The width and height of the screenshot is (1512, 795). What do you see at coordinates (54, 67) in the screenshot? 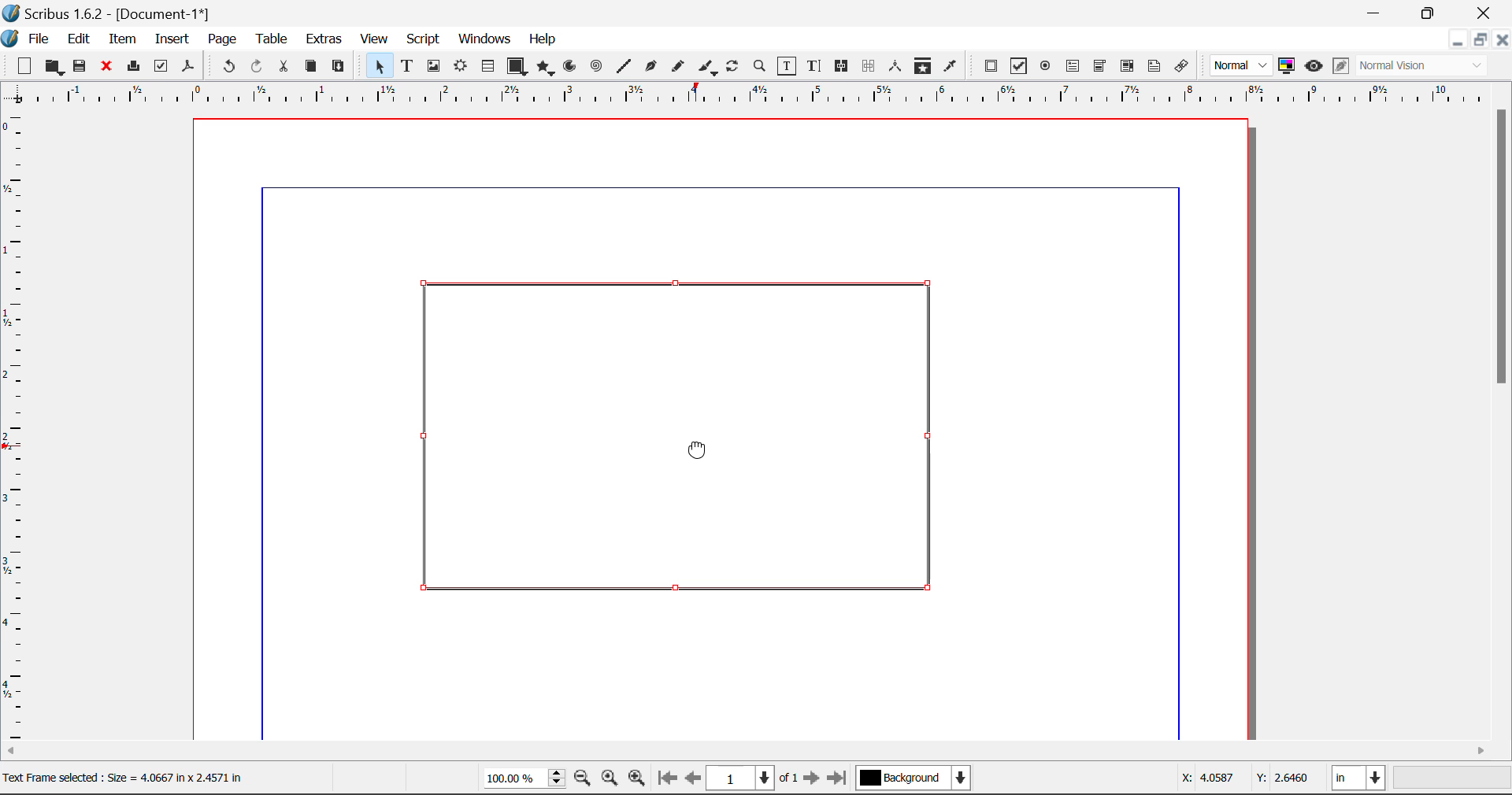
I see `Open` at bounding box center [54, 67].